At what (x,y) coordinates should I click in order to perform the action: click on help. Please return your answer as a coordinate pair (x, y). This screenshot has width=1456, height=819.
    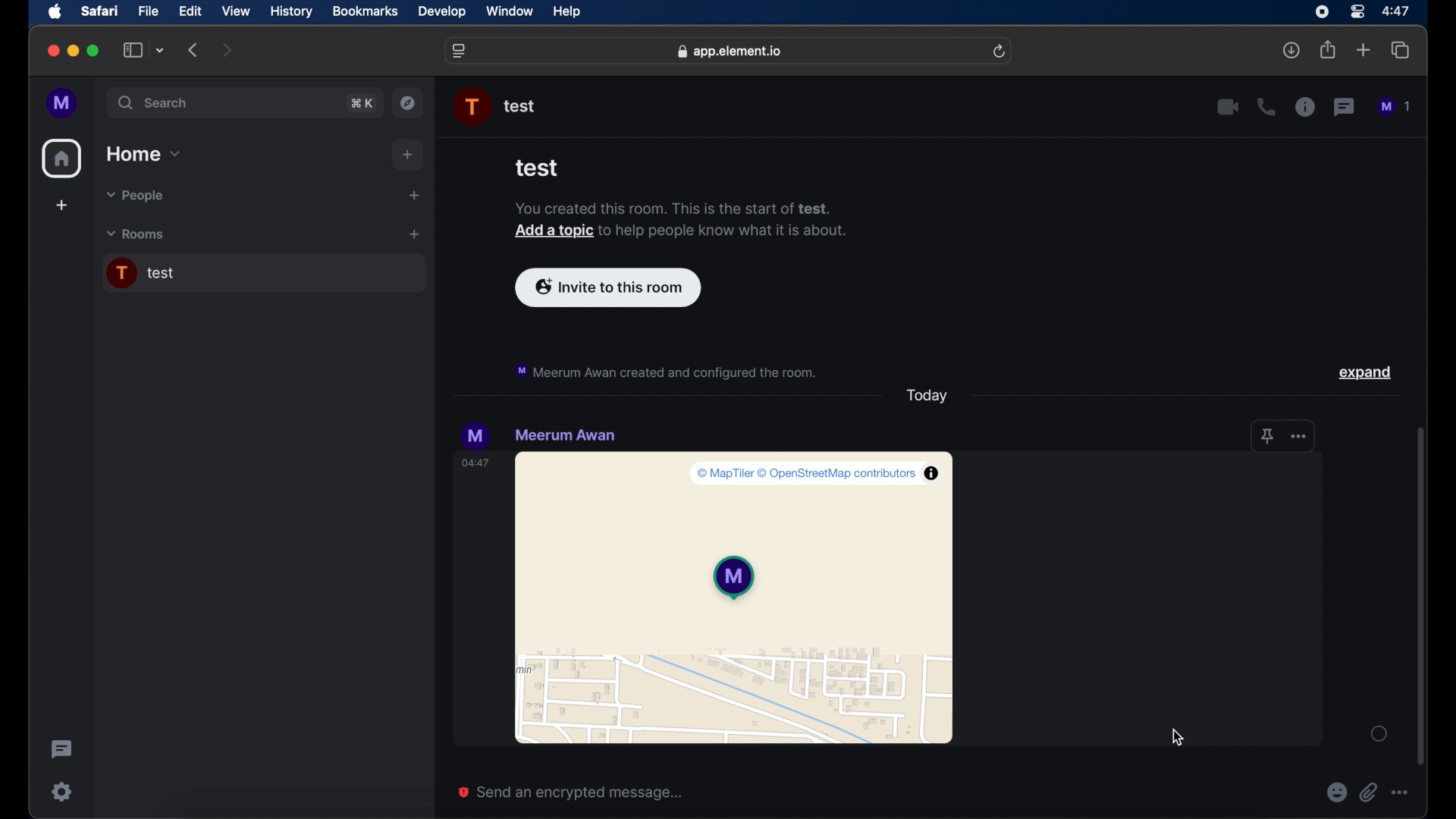
    Looking at the image, I should click on (567, 12).